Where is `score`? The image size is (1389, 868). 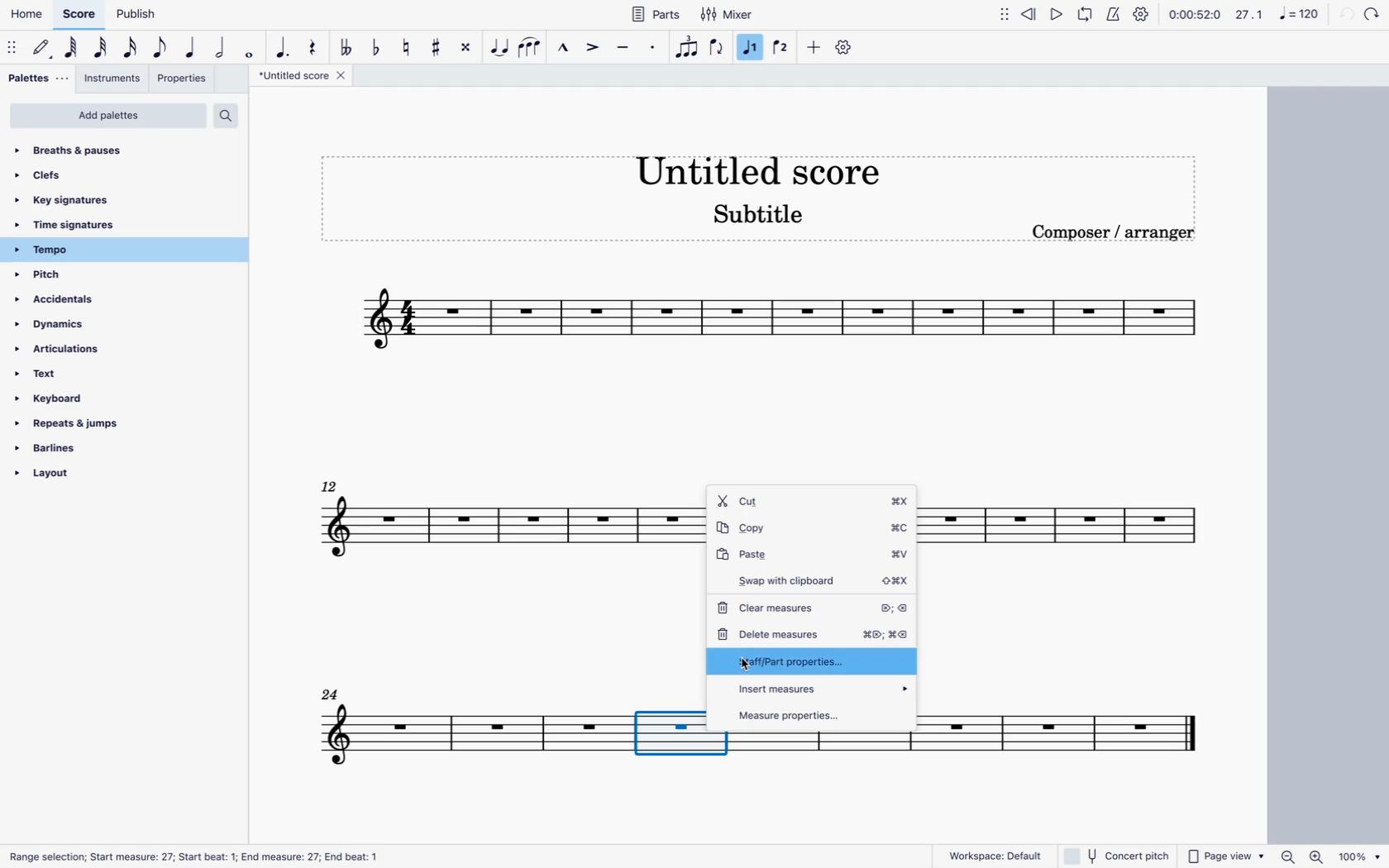 score is located at coordinates (81, 13).